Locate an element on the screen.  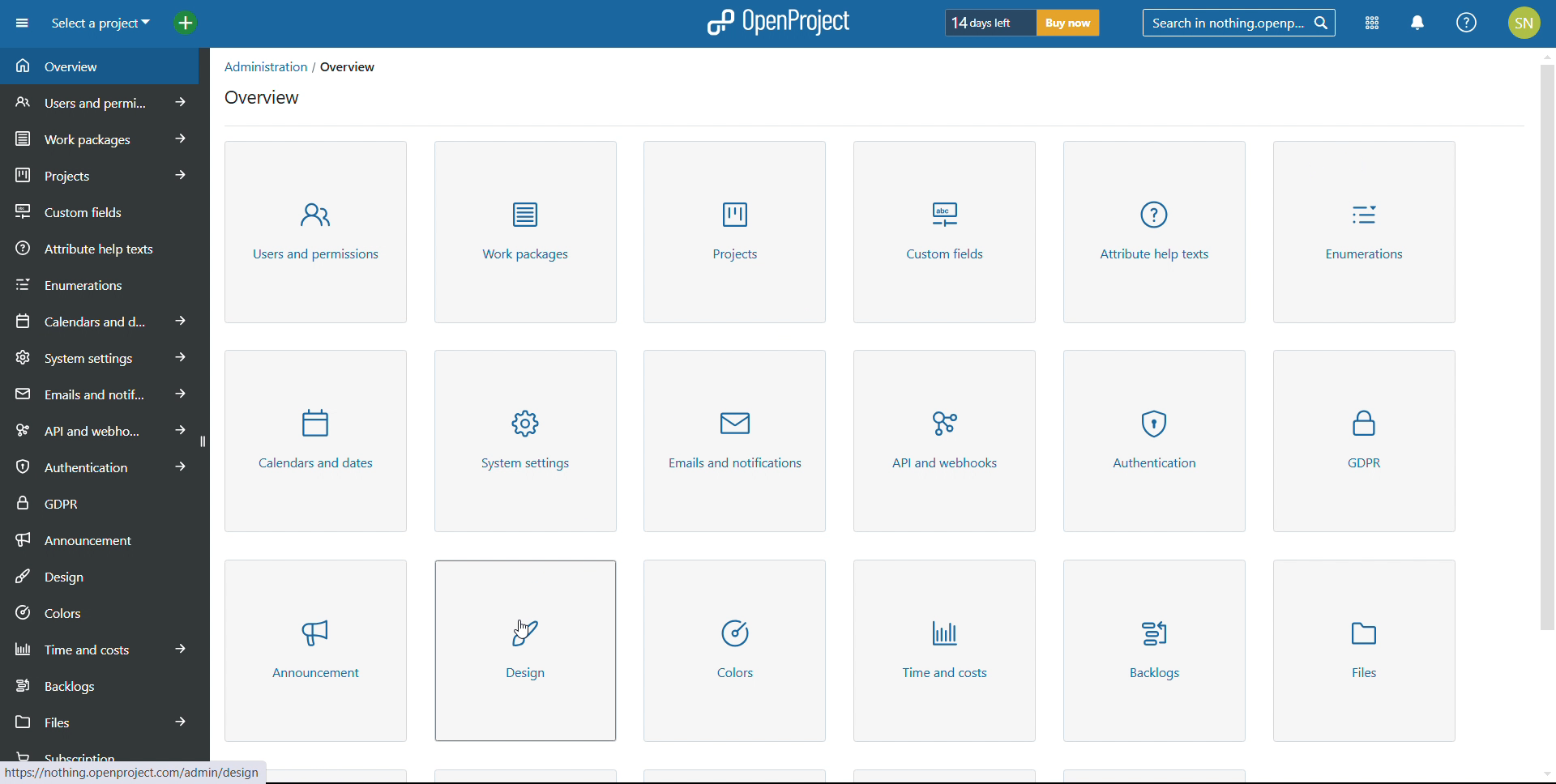
time and costs is located at coordinates (102, 647).